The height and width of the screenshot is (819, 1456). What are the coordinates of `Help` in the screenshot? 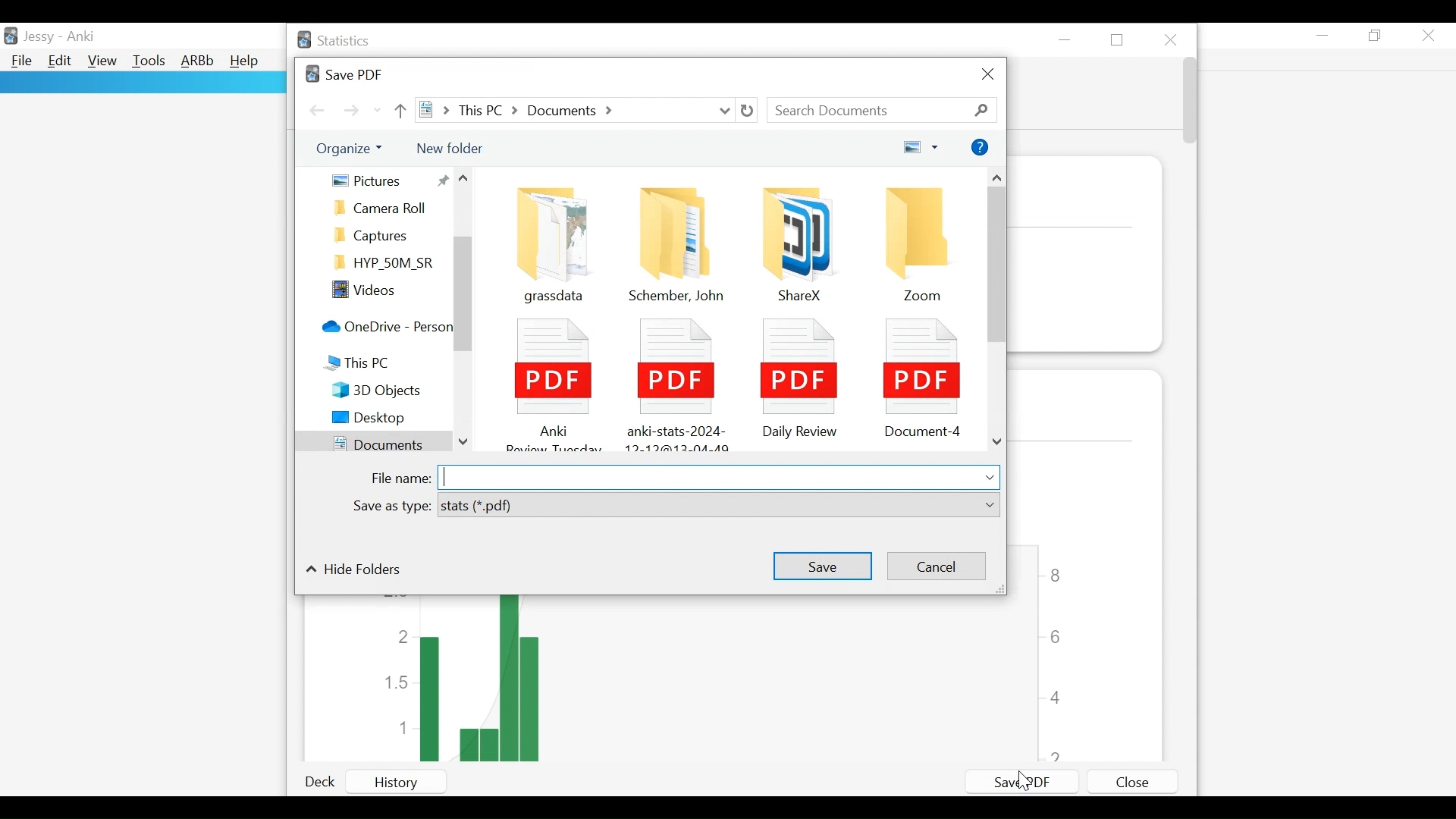 It's located at (980, 148).